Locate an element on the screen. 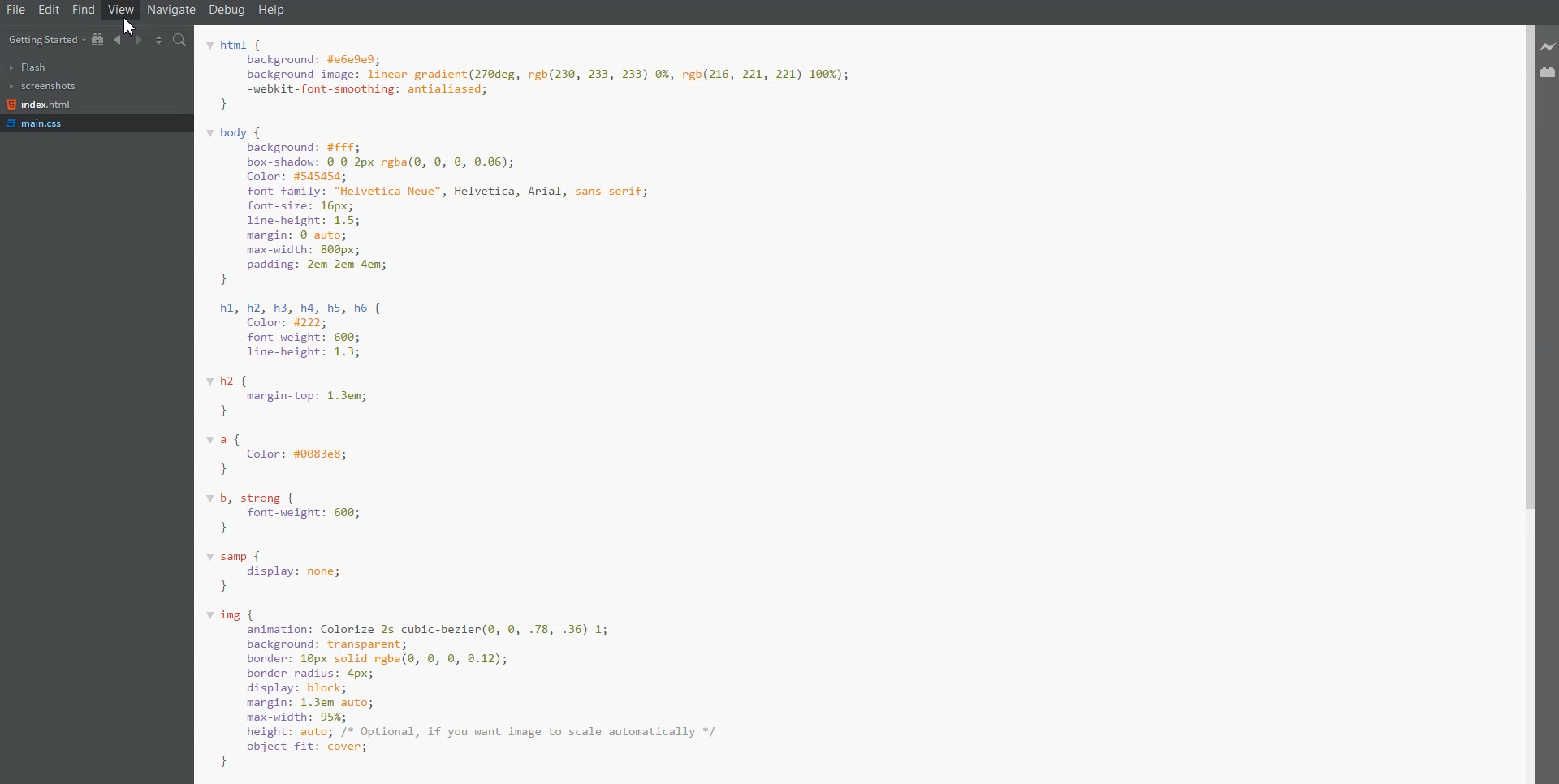 The height and width of the screenshot is (784, 1559). Edit is located at coordinates (50, 10).